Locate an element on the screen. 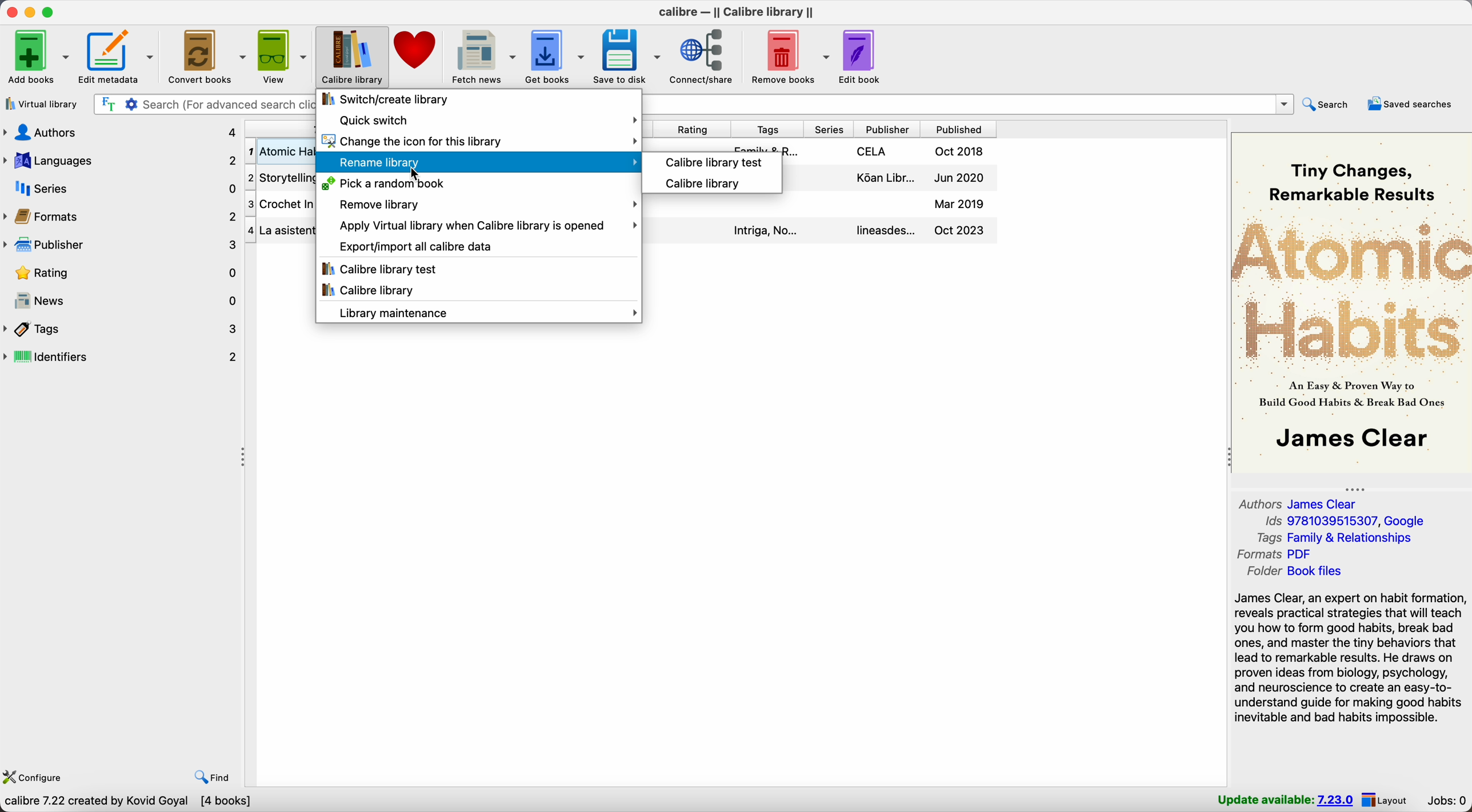 The width and height of the screenshot is (1472, 812). search is located at coordinates (1329, 105).